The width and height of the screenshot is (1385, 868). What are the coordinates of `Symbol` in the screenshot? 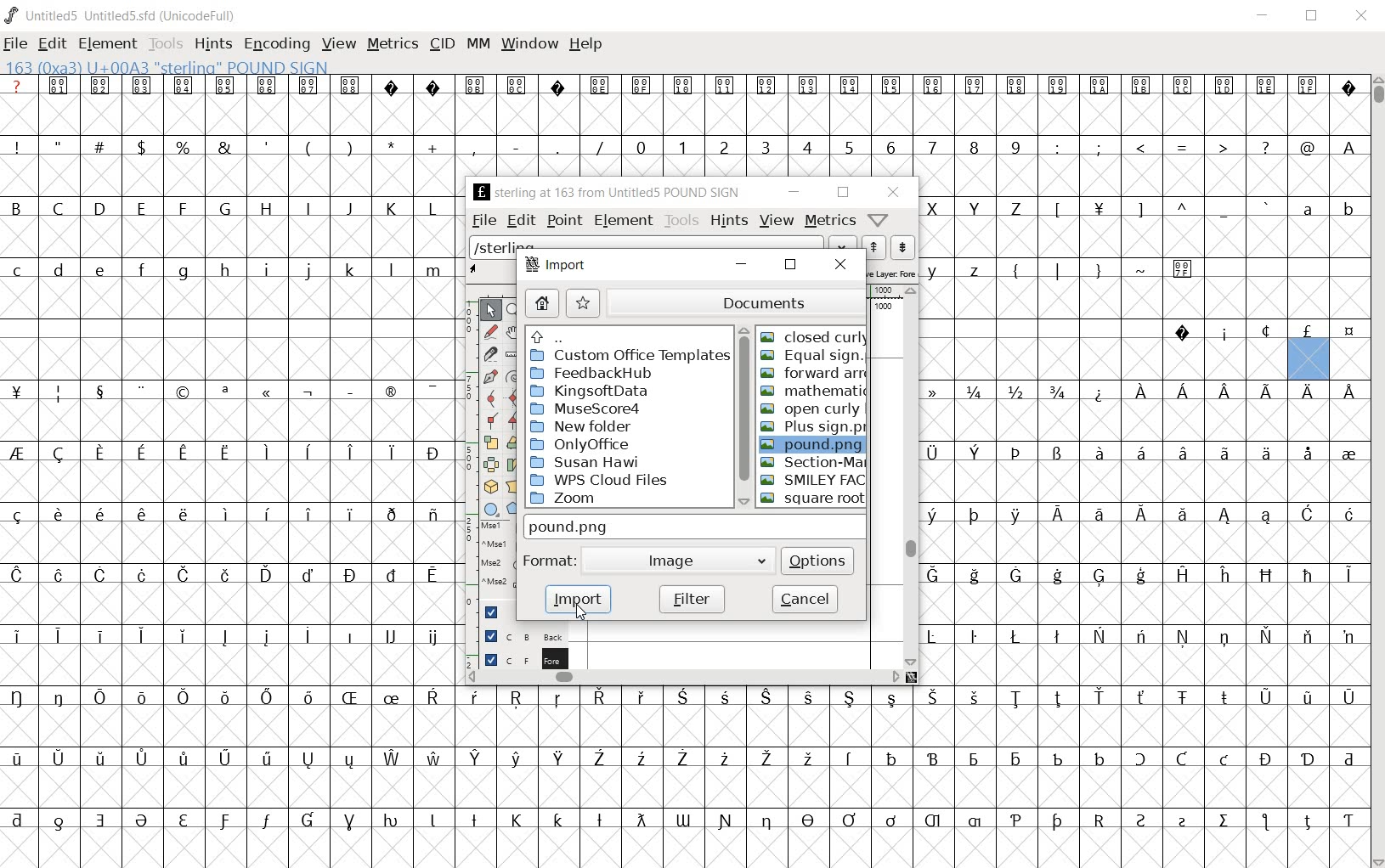 It's located at (59, 757).